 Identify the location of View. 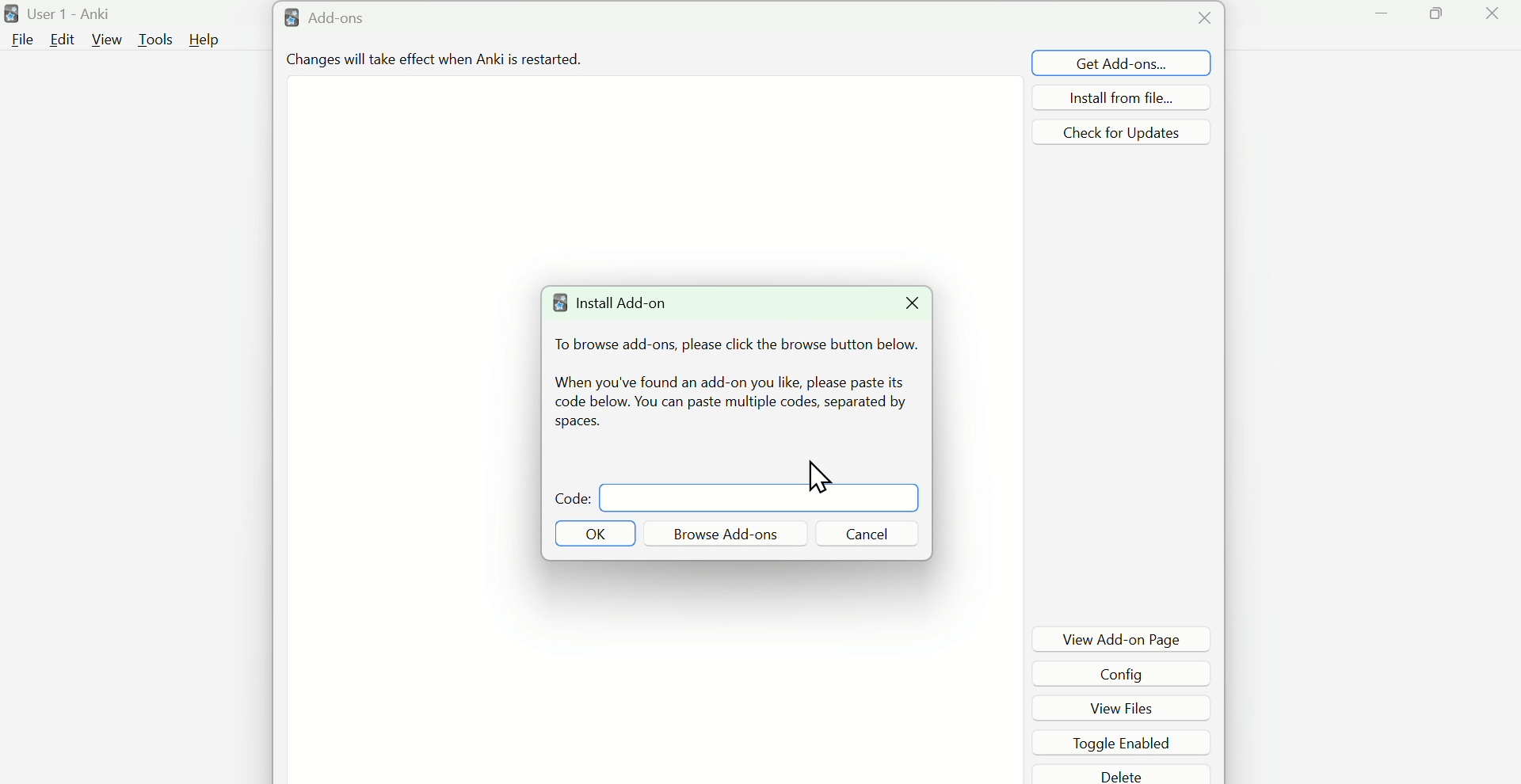
(107, 40).